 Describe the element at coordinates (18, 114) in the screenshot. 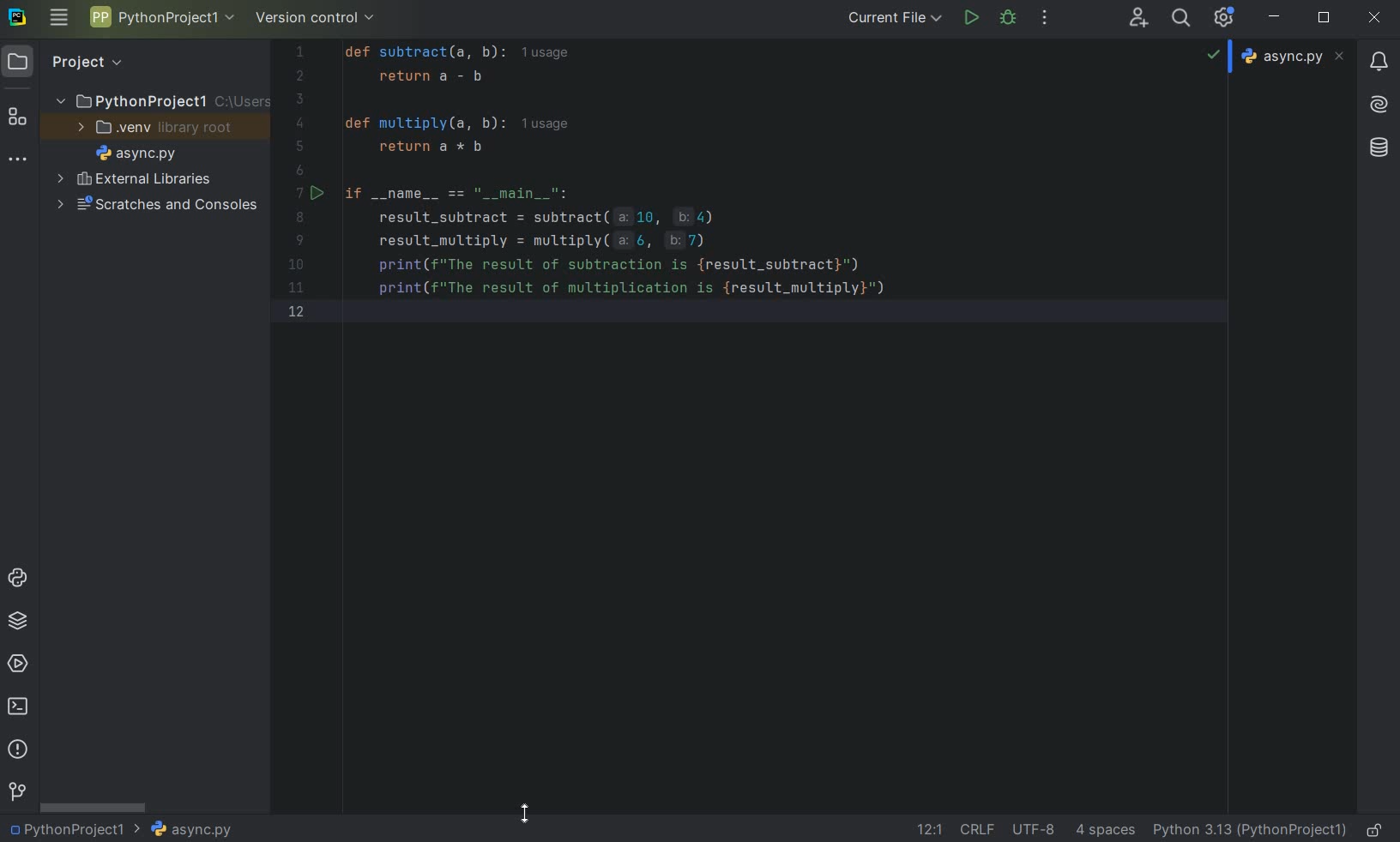

I see `structure` at that location.